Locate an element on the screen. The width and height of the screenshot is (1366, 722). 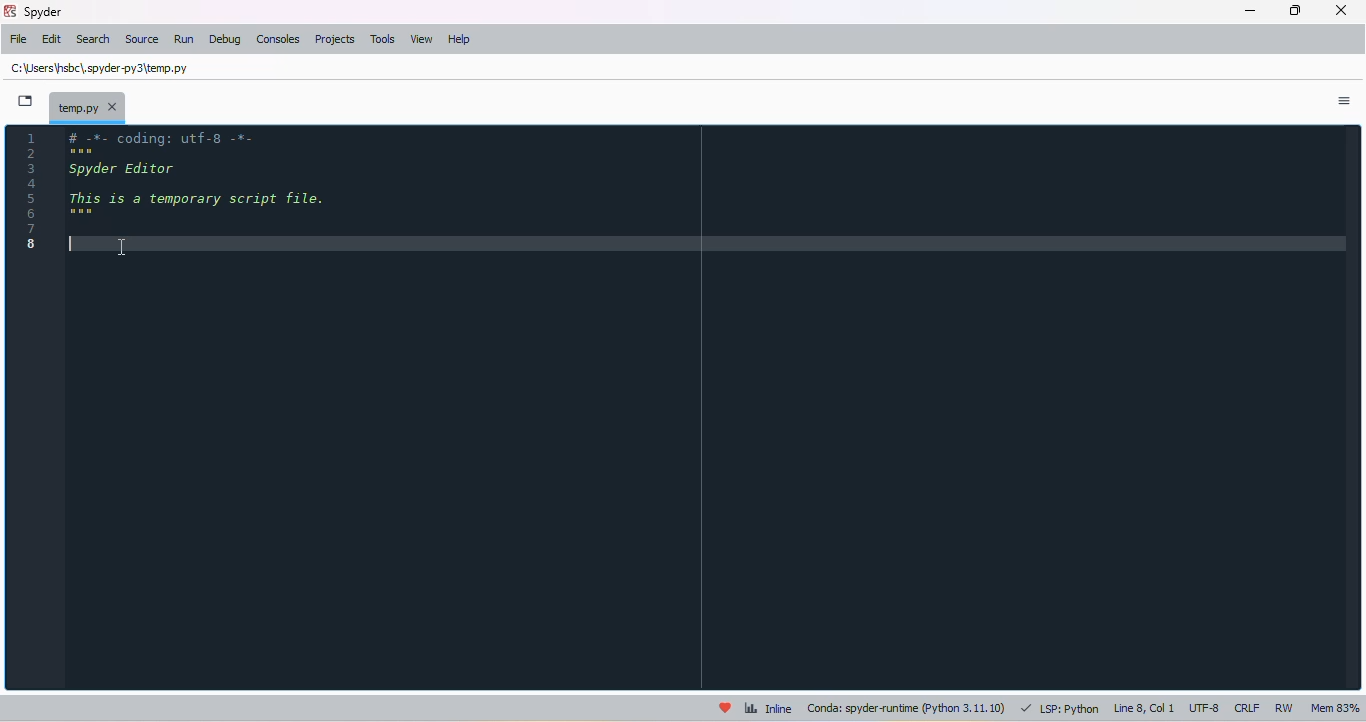
spyder is located at coordinates (44, 12).